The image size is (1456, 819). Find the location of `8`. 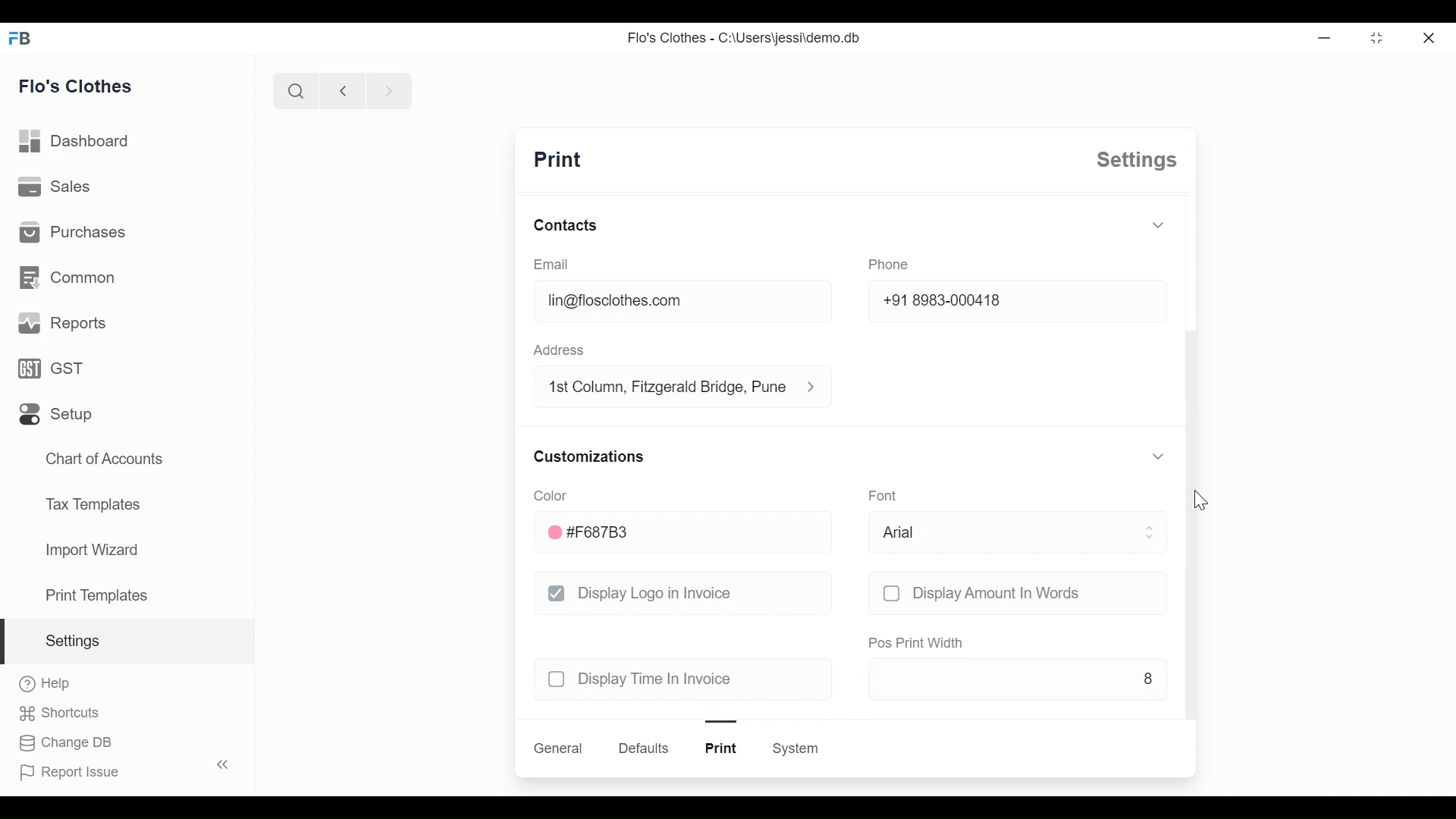

8 is located at coordinates (1018, 678).